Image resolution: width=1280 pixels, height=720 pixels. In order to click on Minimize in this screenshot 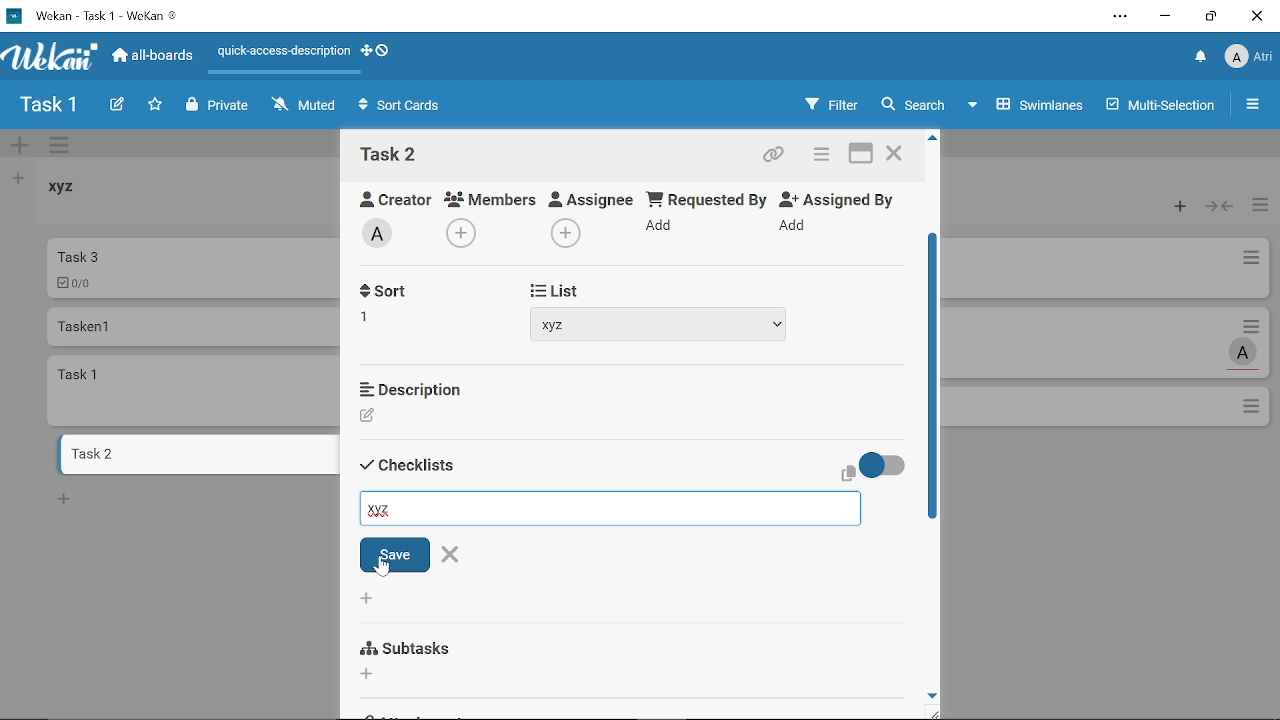, I will do `click(1166, 19)`.